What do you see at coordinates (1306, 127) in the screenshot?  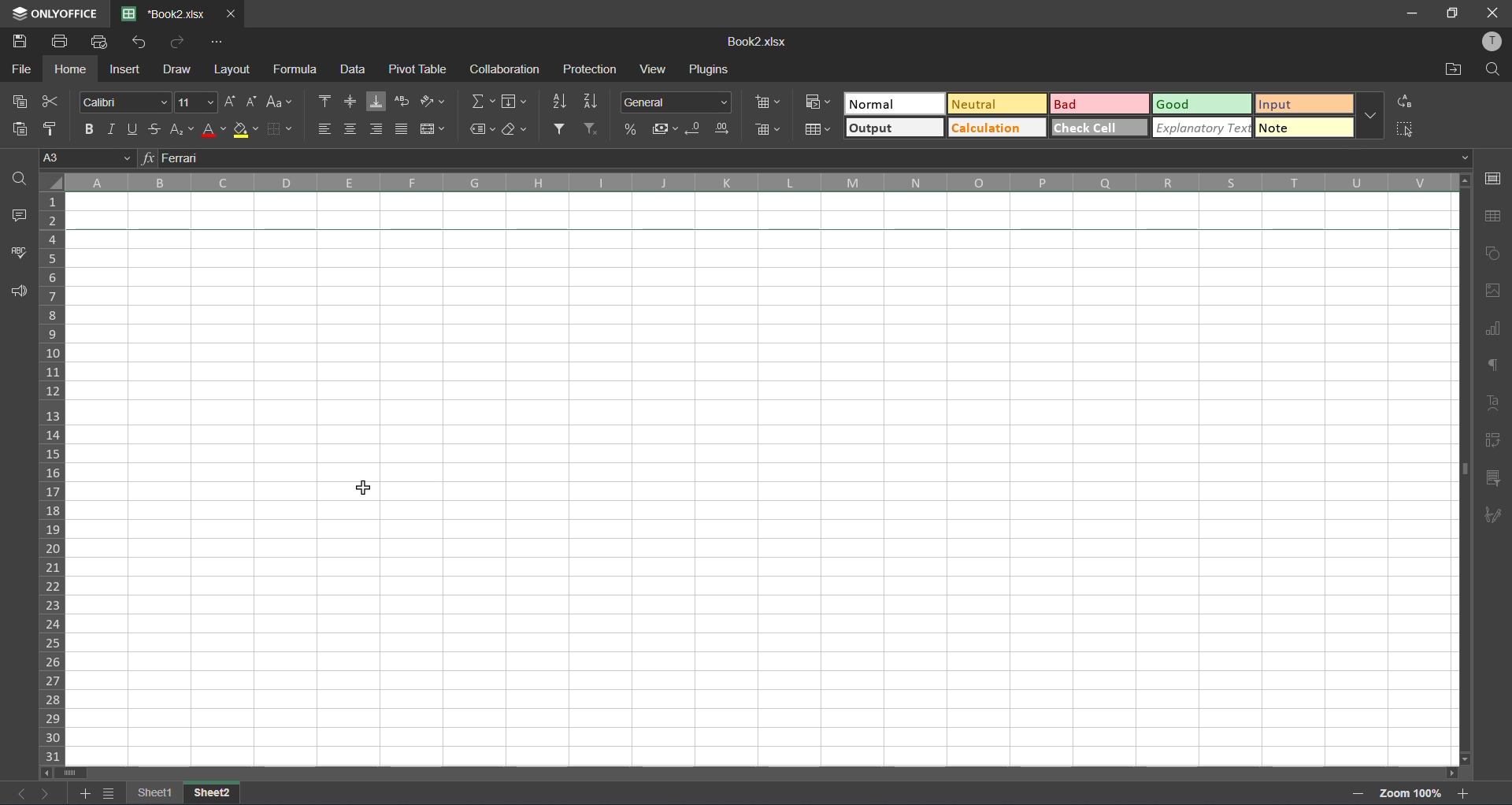 I see `note` at bounding box center [1306, 127].